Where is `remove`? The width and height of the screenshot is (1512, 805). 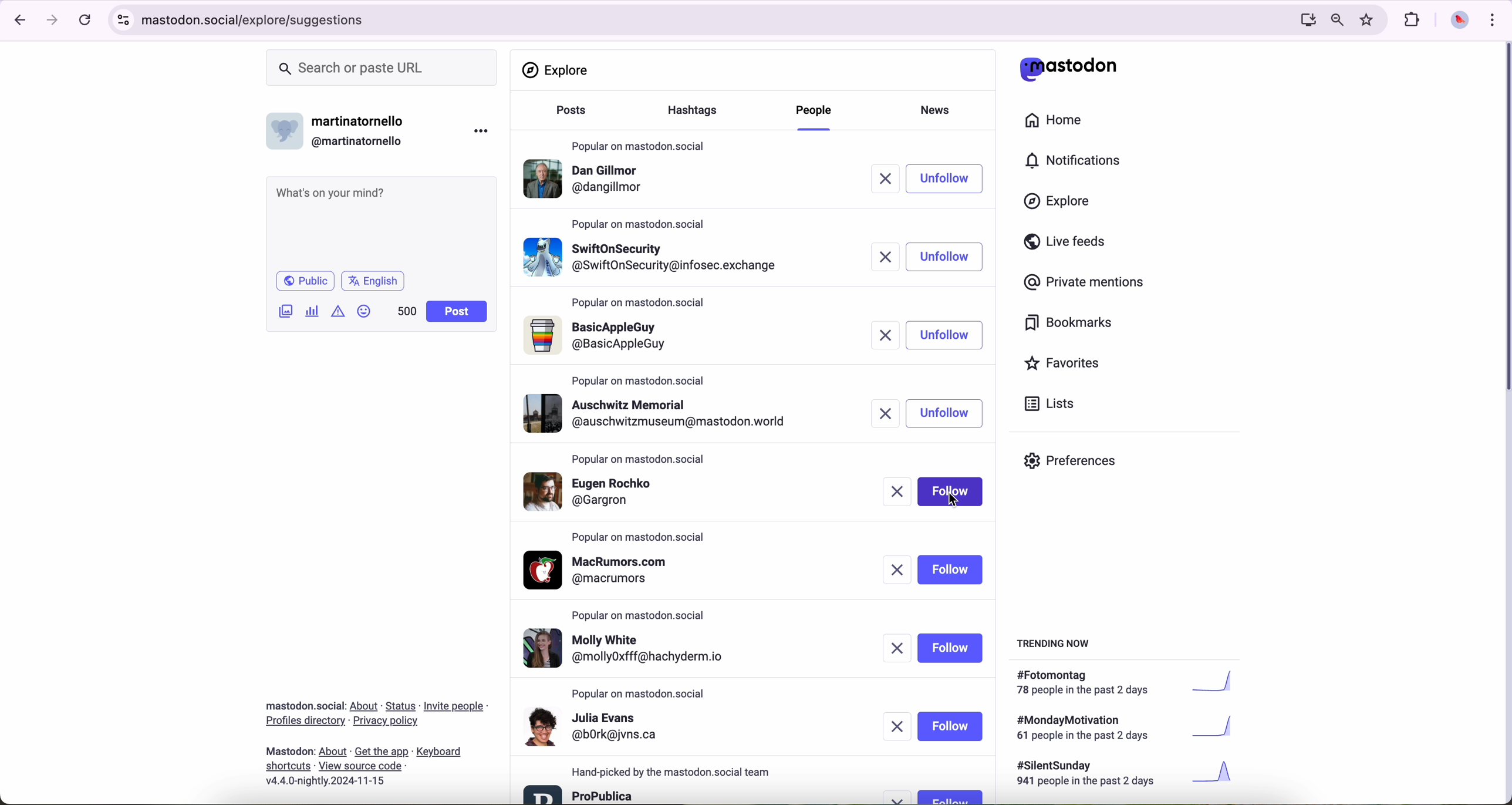
remove is located at coordinates (897, 649).